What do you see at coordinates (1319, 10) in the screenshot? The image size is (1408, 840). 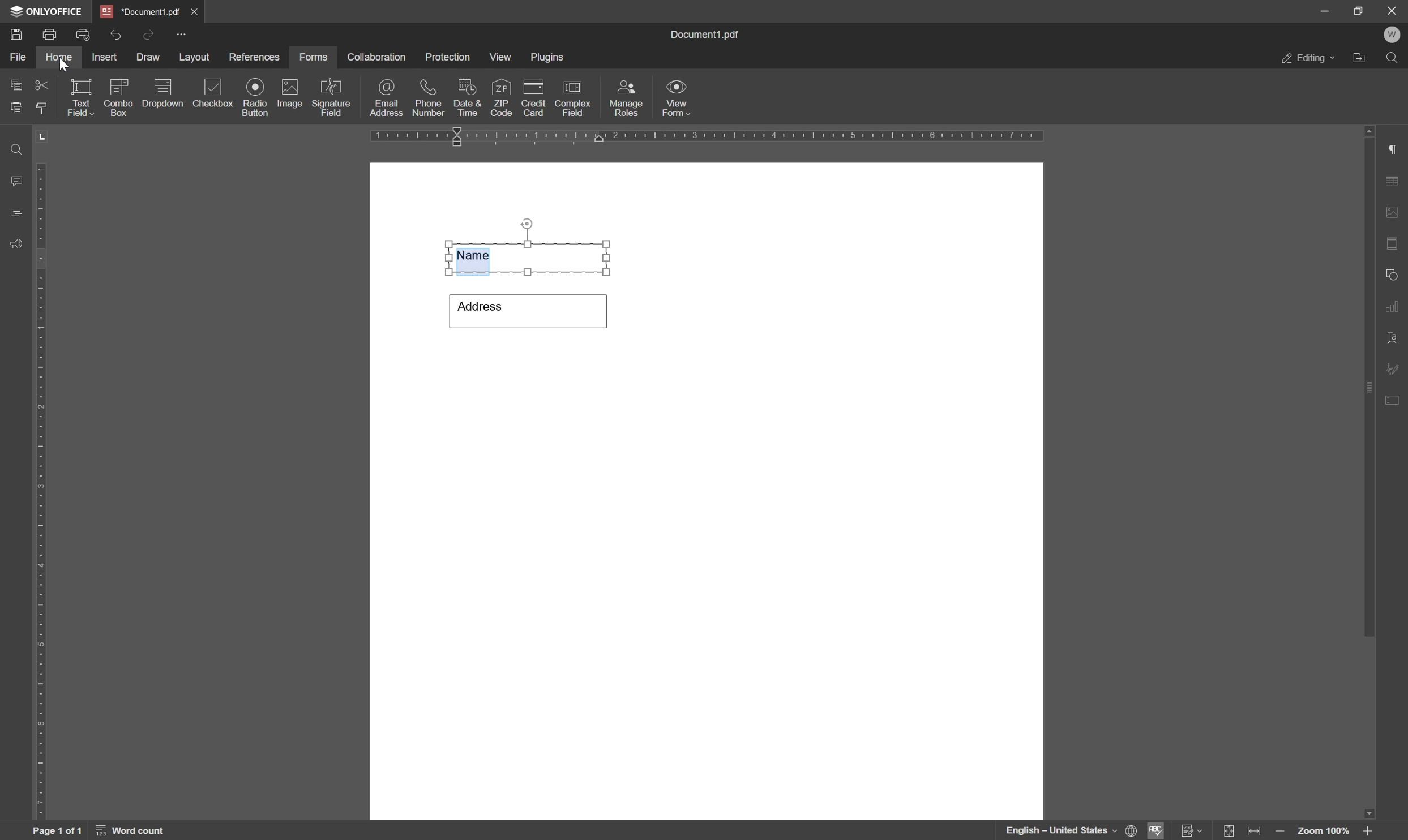 I see `minimize` at bounding box center [1319, 10].